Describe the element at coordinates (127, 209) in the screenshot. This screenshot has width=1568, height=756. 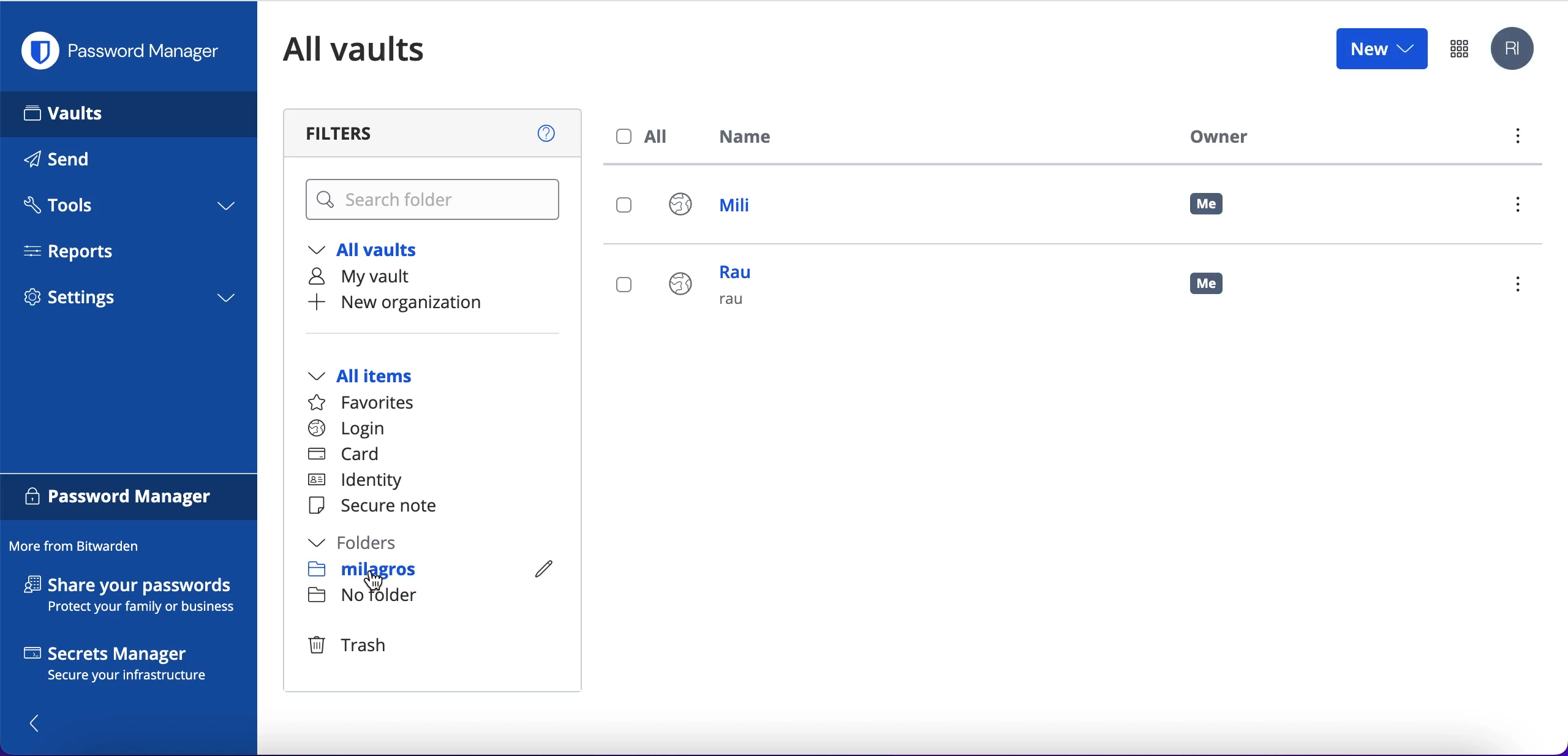
I see `tools` at that location.